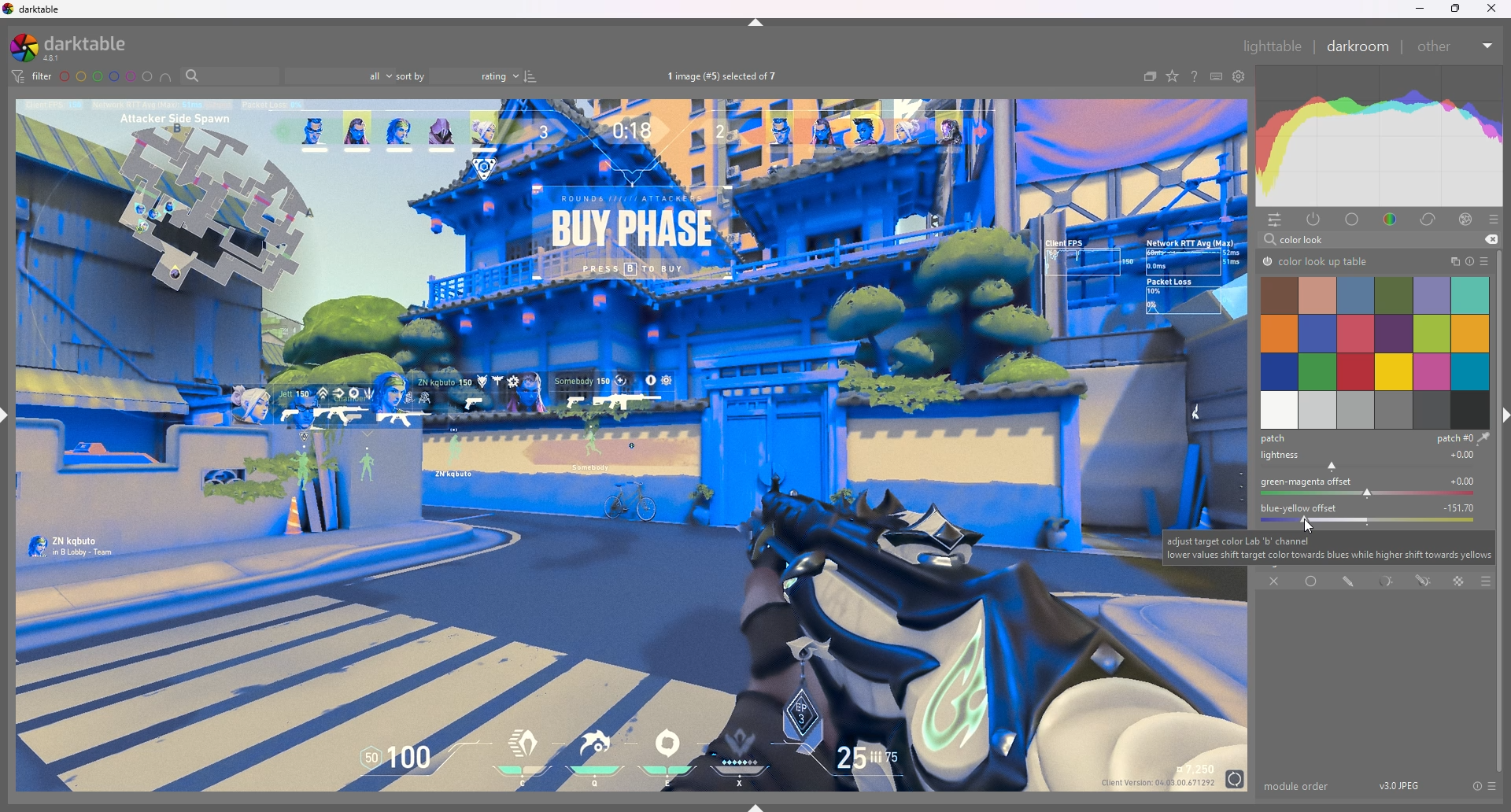  Describe the element at coordinates (1315, 220) in the screenshot. I see `active modules` at that location.